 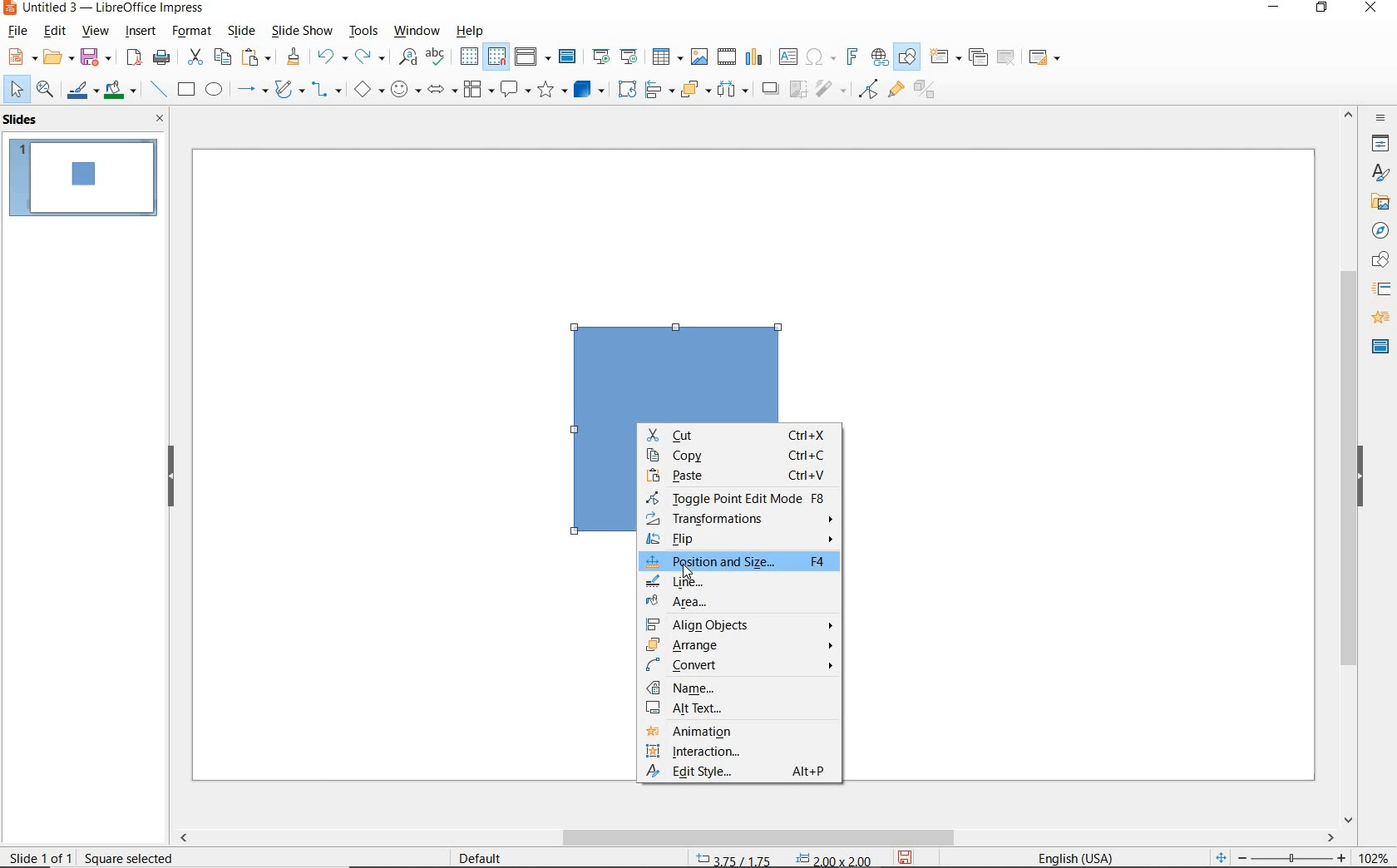 I want to click on display view, so click(x=533, y=57).